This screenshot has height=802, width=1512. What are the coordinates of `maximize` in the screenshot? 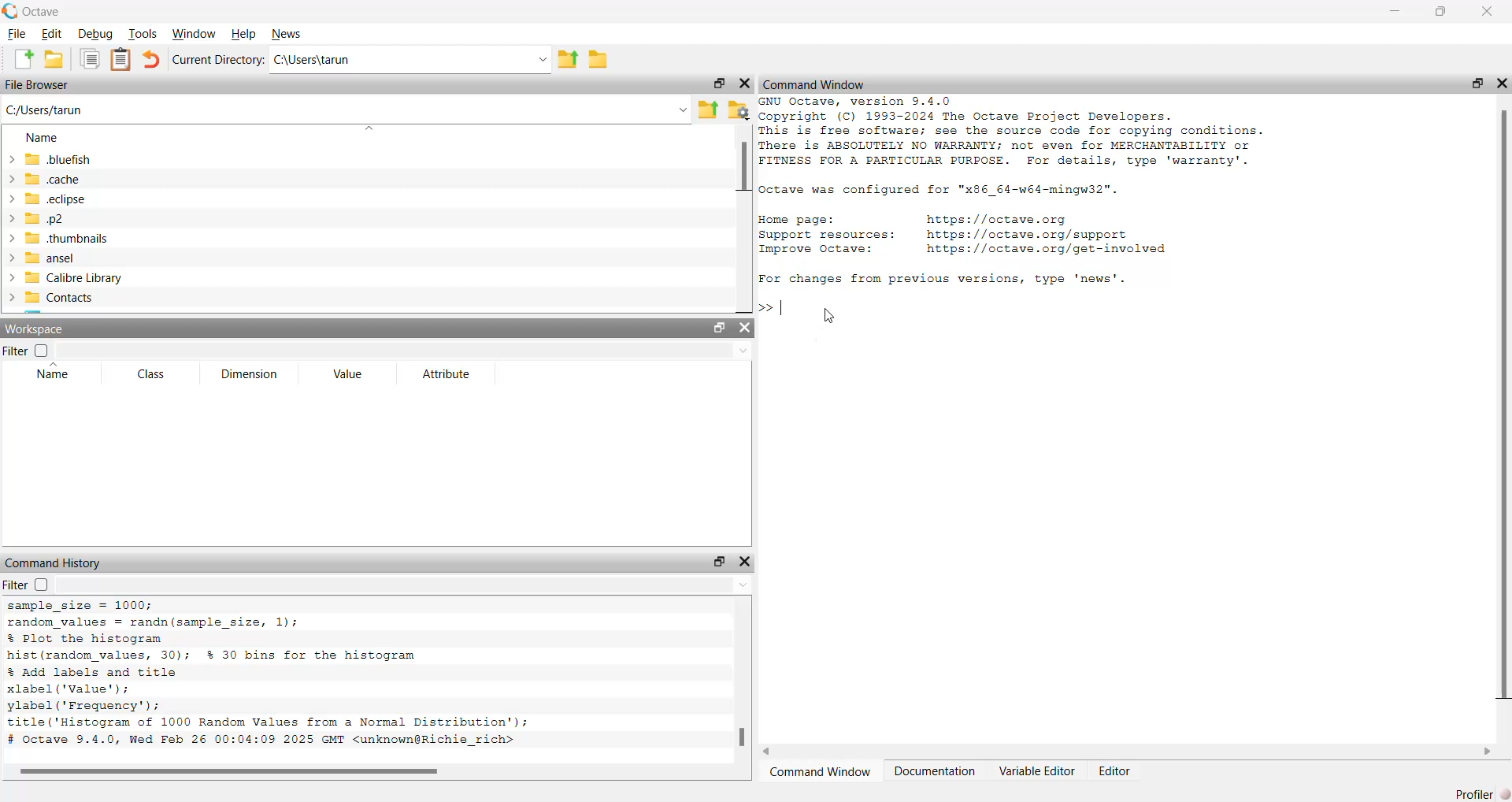 It's located at (717, 84).